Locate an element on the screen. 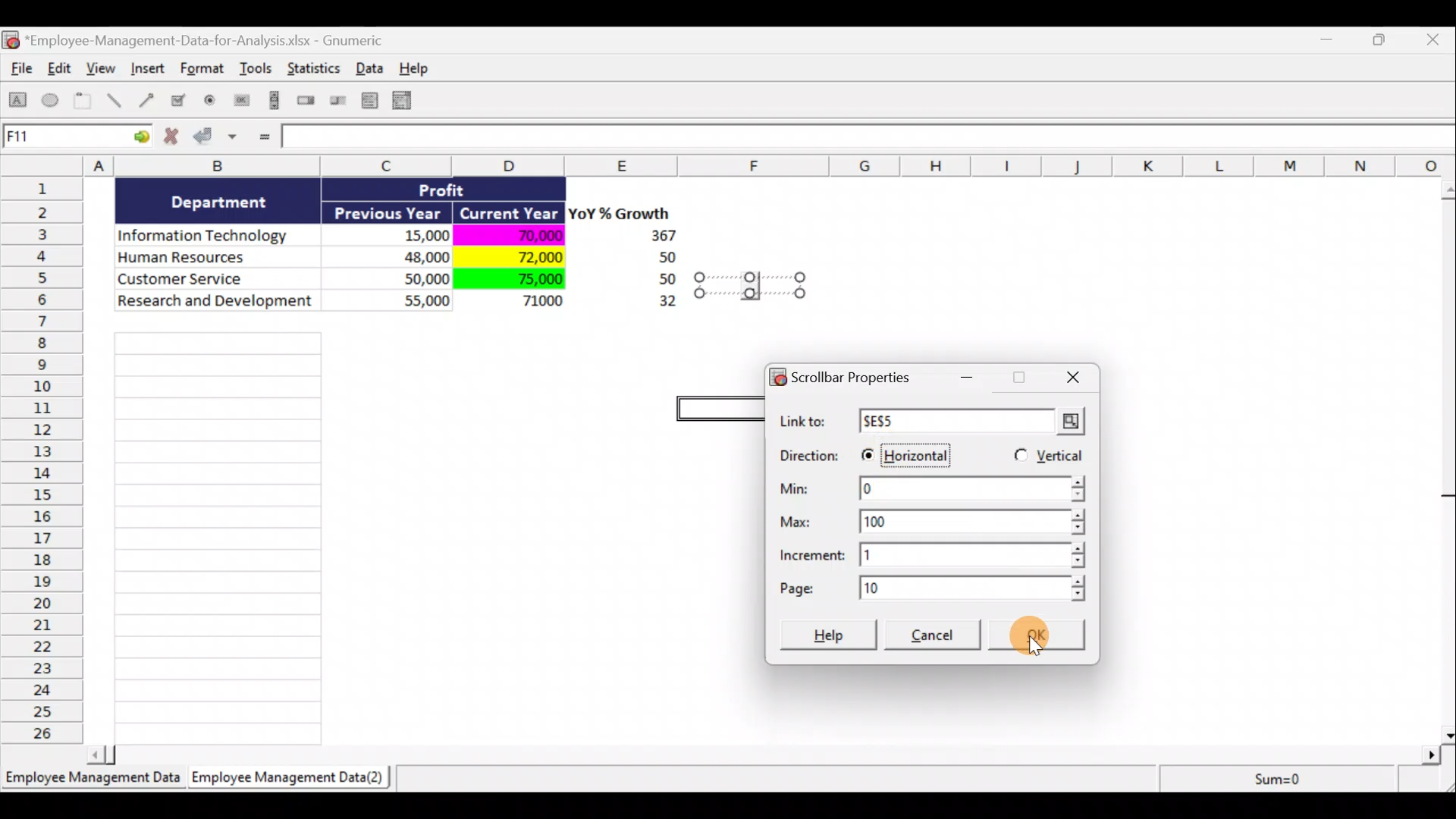 This screenshot has height=819, width=1456. selected cell is located at coordinates (720, 406).